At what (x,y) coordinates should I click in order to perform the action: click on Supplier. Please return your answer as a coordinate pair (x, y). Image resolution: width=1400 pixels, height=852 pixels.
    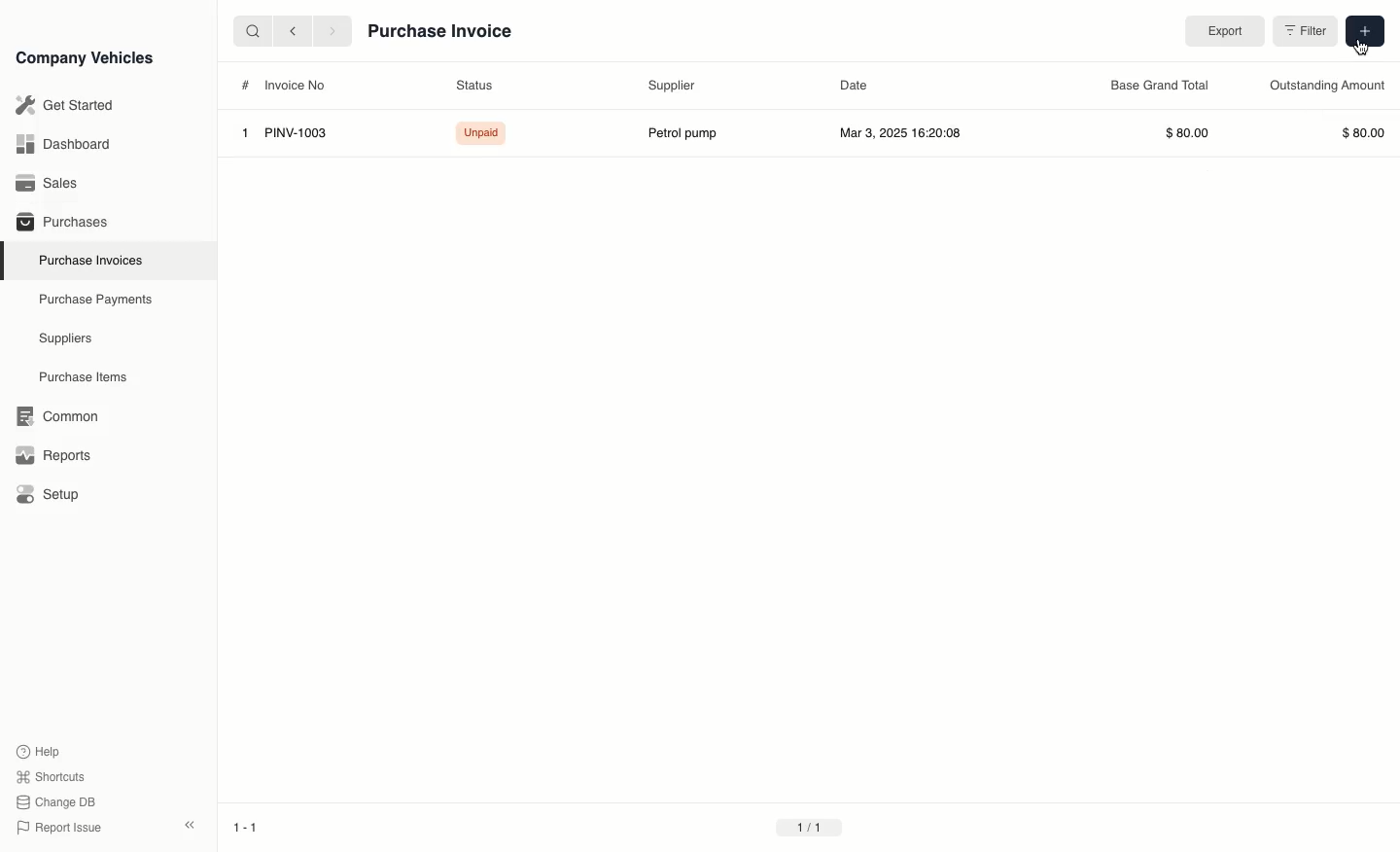
    Looking at the image, I should click on (673, 86).